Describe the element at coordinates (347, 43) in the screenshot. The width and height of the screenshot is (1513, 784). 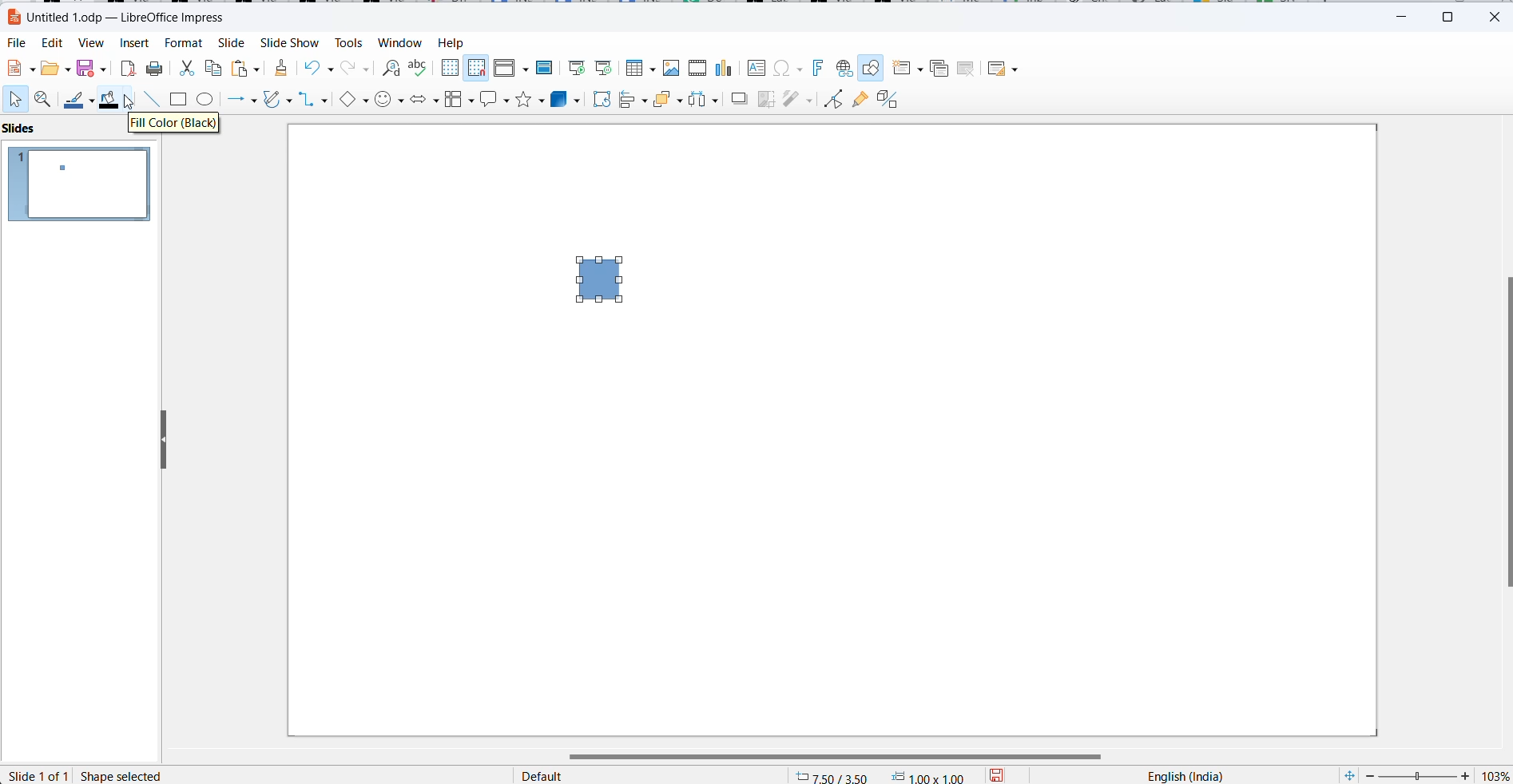
I see `Tools` at that location.